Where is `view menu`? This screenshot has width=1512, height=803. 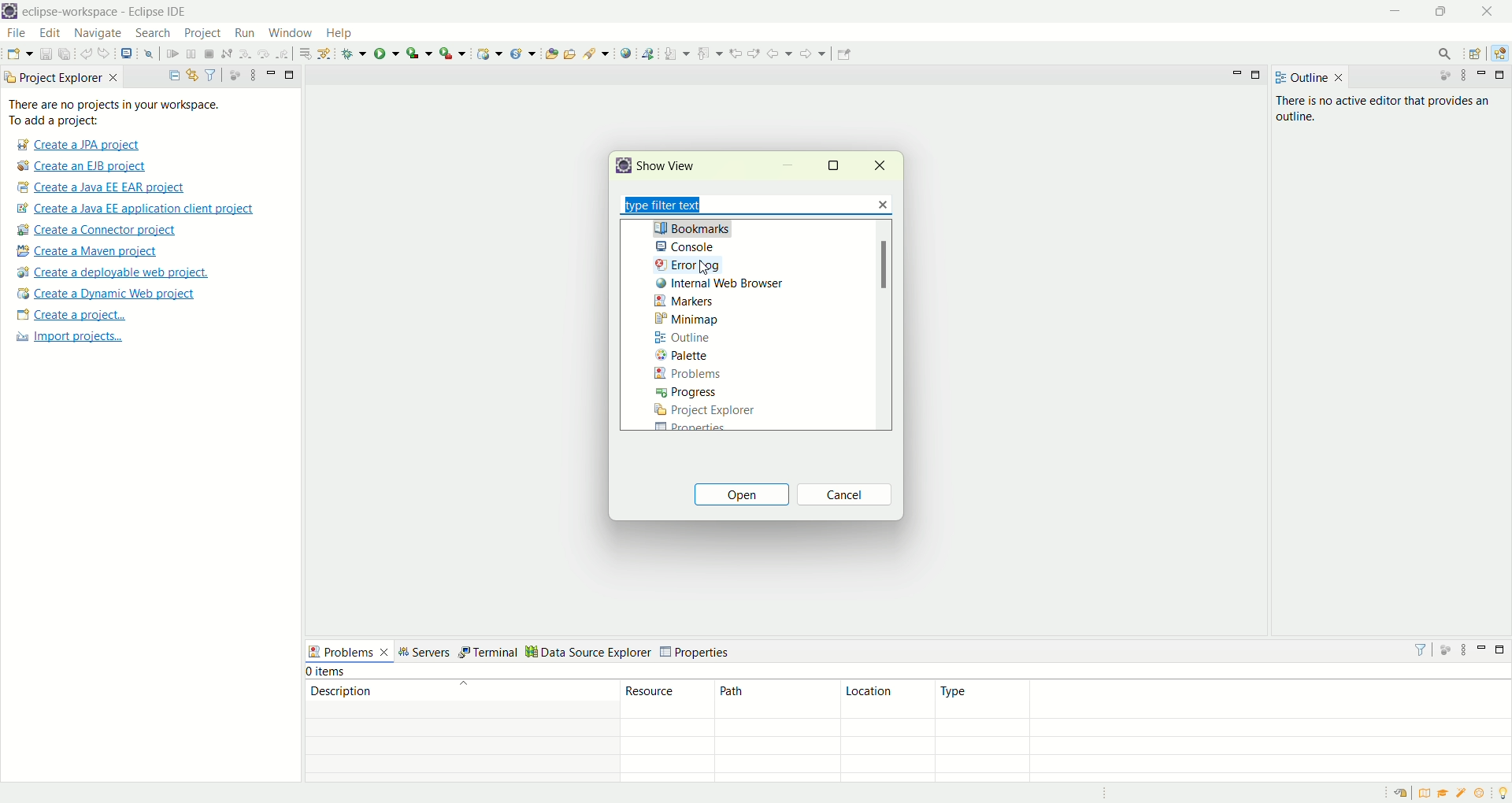 view menu is located at coordinates (1466, 650).